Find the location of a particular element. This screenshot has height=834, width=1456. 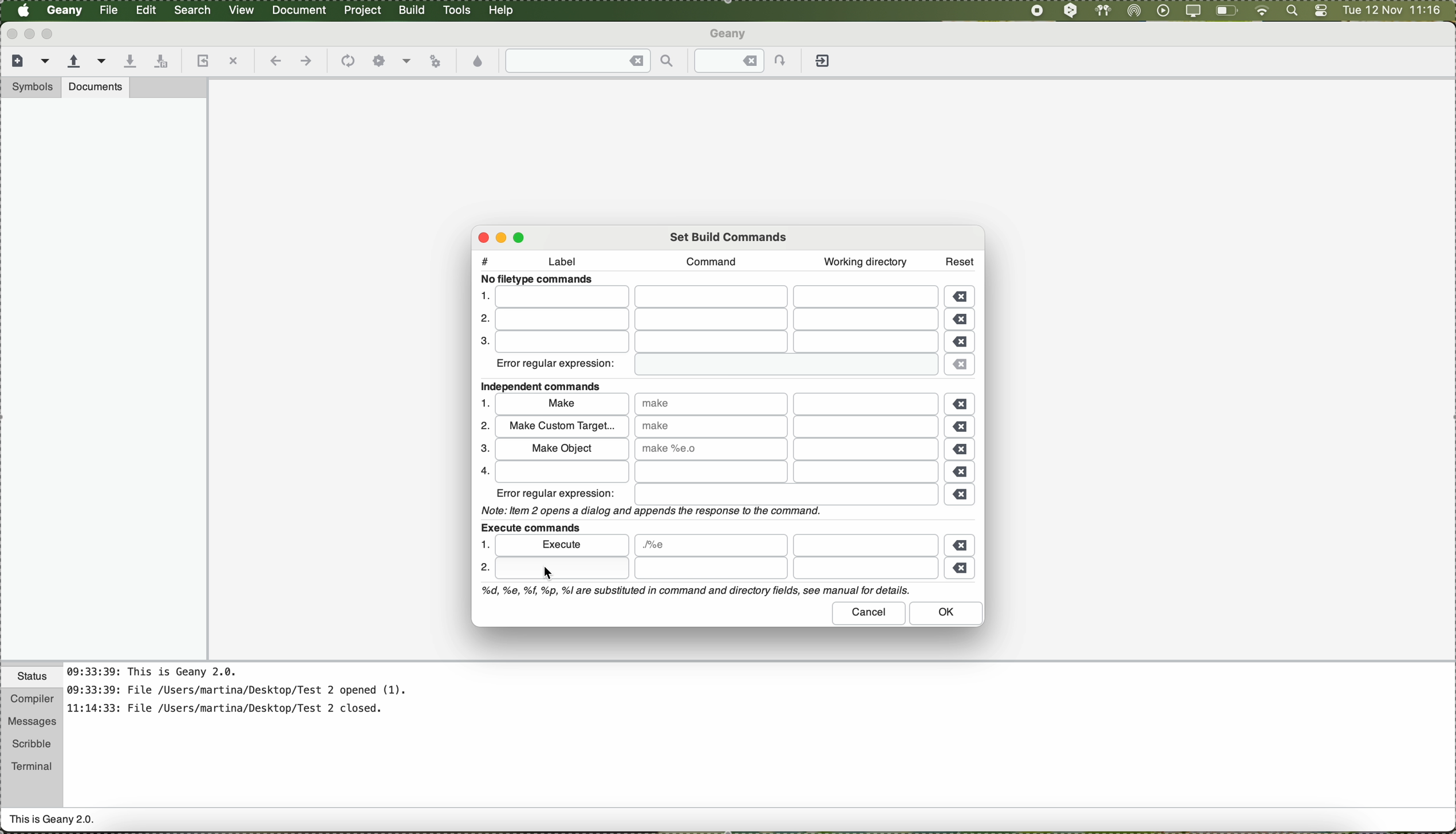

messages is located at coordinates (31, 722).